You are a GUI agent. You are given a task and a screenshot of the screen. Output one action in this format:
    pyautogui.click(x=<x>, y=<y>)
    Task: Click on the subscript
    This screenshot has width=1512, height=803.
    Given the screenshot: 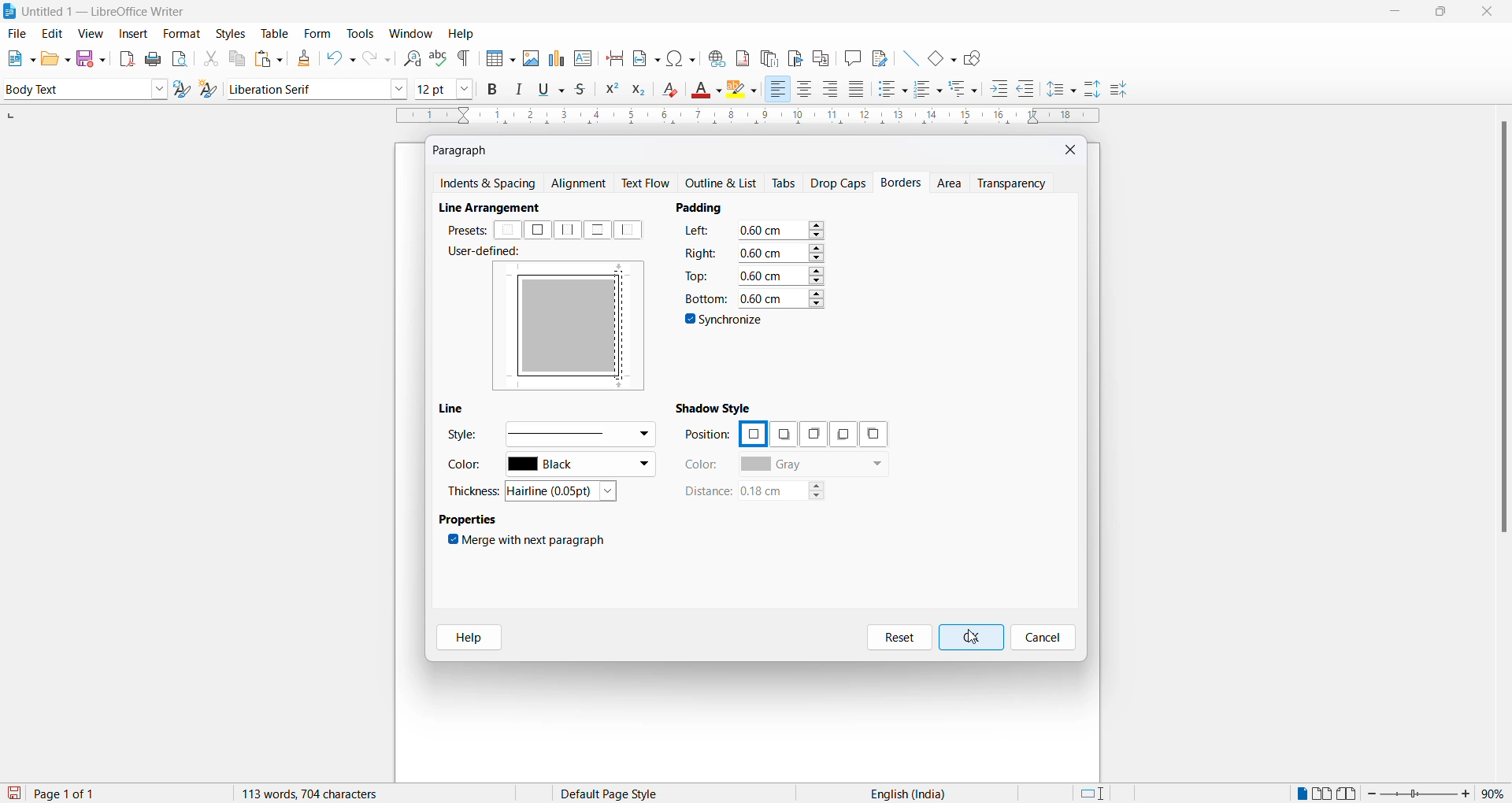 What is the action you would take?
    pyautogui.click(x=643, y=91)
    